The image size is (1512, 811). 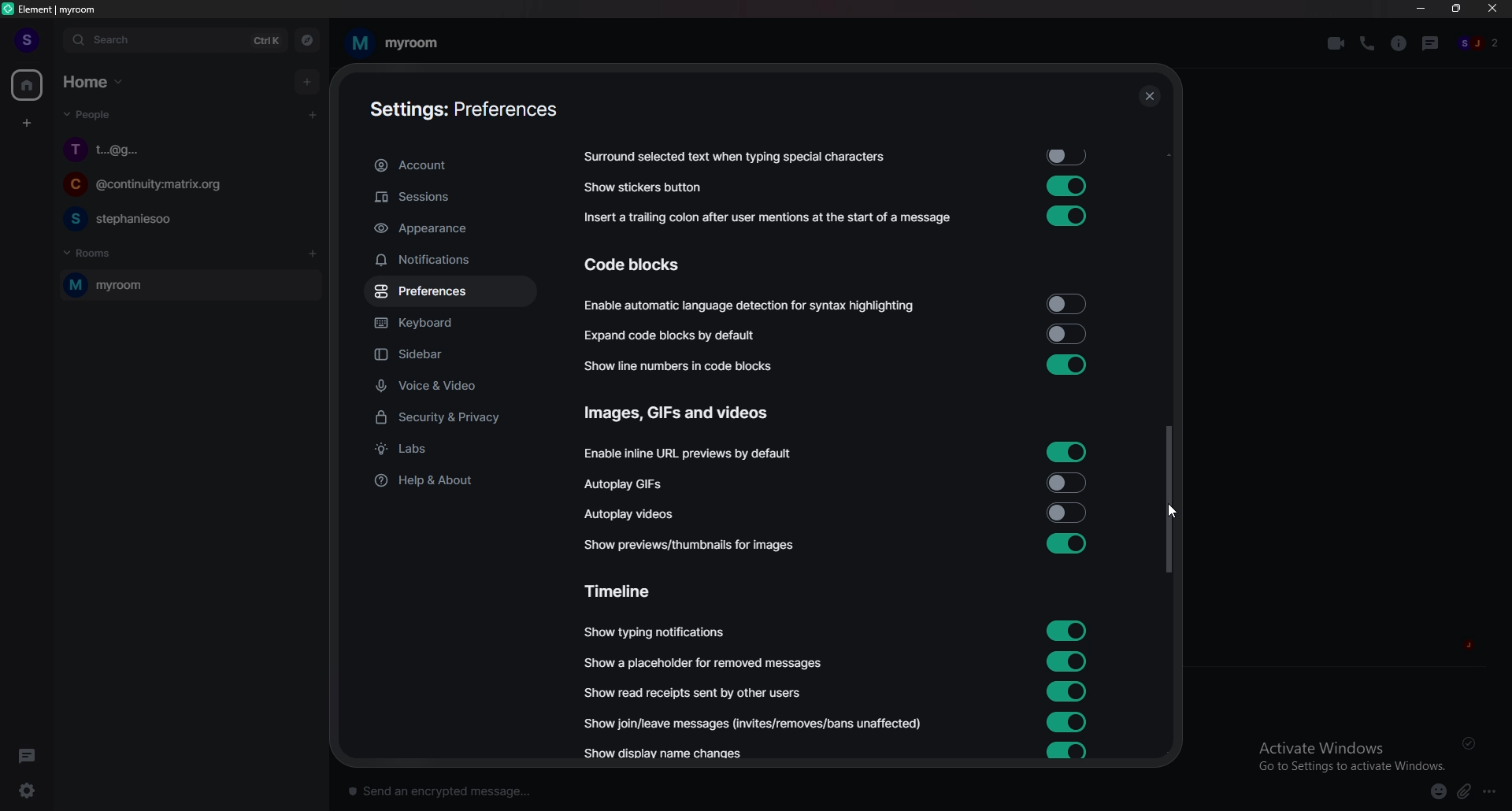 What do you see at coordinates (28, 124) in the screenshot?
I see `create a space` at bounding box center [28, 124].